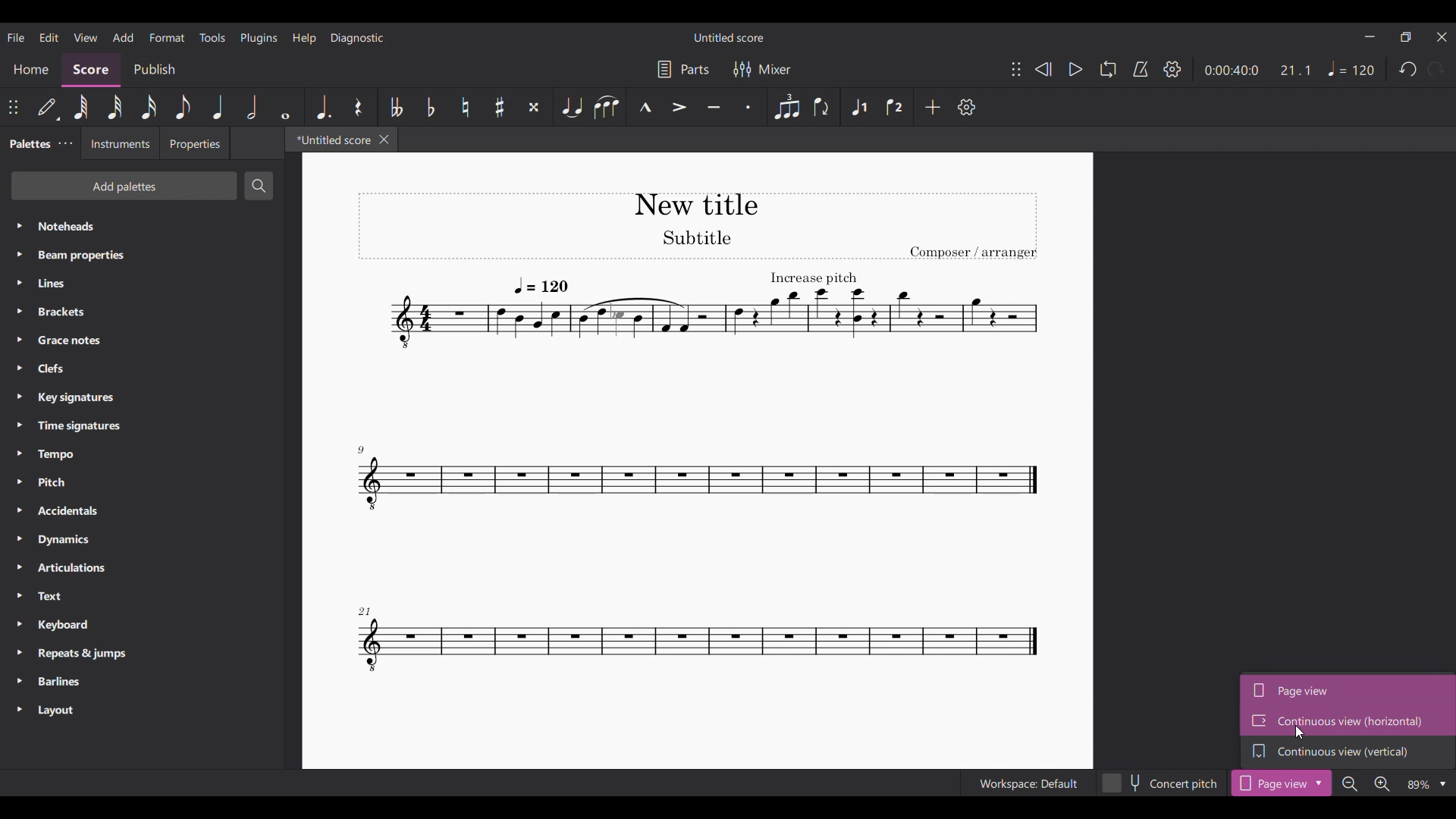 The width and height of the screenshot is (1456, 819). I want to click on Barlines, so click(143, 682).